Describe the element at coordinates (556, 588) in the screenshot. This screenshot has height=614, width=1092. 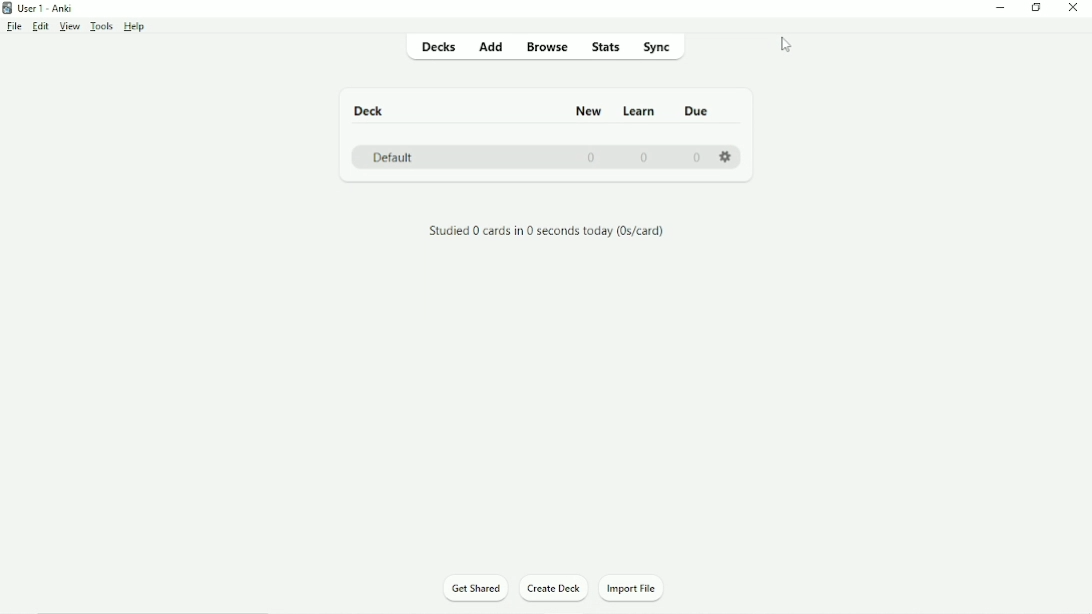
I see `Create Deck` at that location.